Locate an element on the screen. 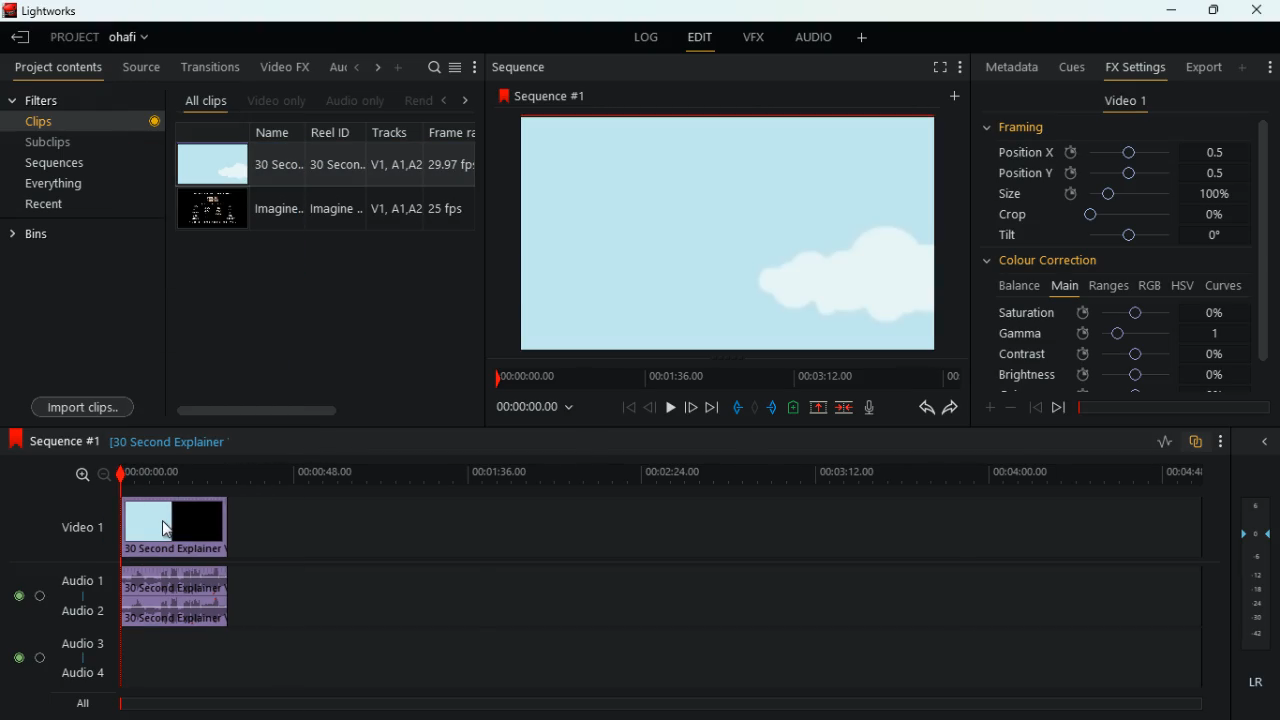  video 1 is located at coordinates (84, 526).